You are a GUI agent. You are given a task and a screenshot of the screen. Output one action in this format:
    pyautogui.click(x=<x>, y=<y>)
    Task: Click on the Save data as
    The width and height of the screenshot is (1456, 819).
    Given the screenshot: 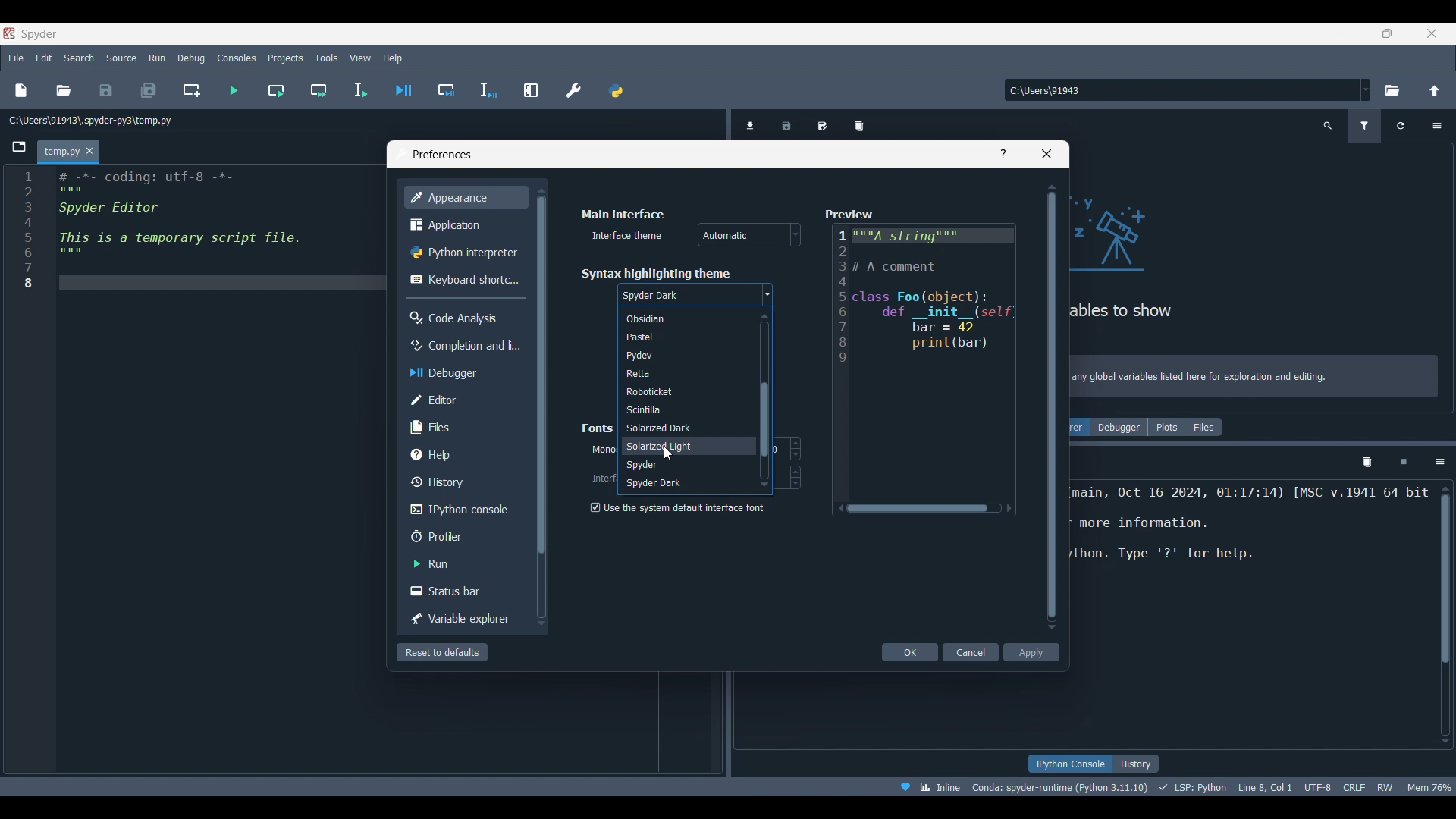 What is the action you would take?
    pyautogui.click(x=822, y=121)
    